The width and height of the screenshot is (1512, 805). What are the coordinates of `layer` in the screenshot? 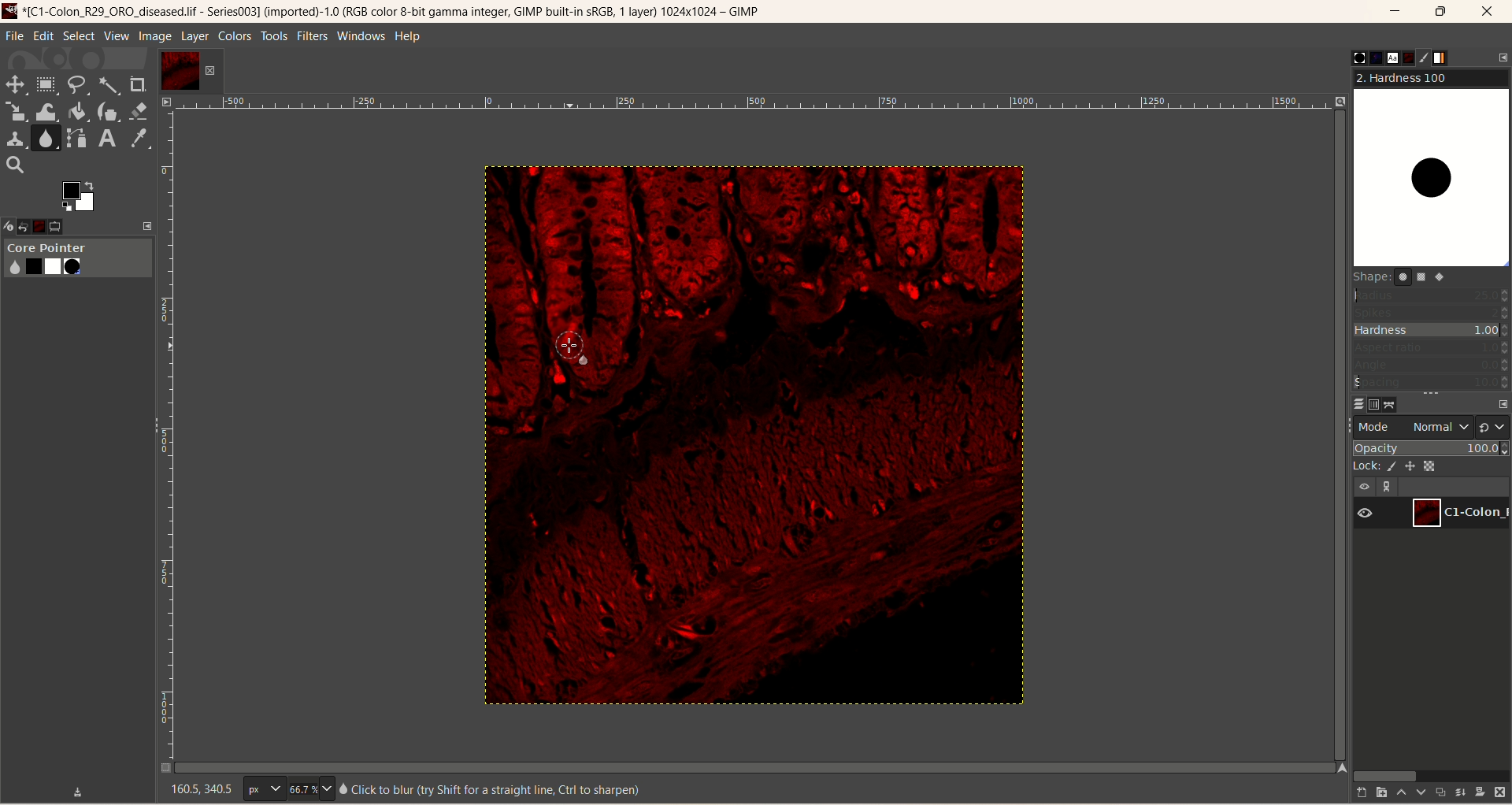 It's located at (194, 36).